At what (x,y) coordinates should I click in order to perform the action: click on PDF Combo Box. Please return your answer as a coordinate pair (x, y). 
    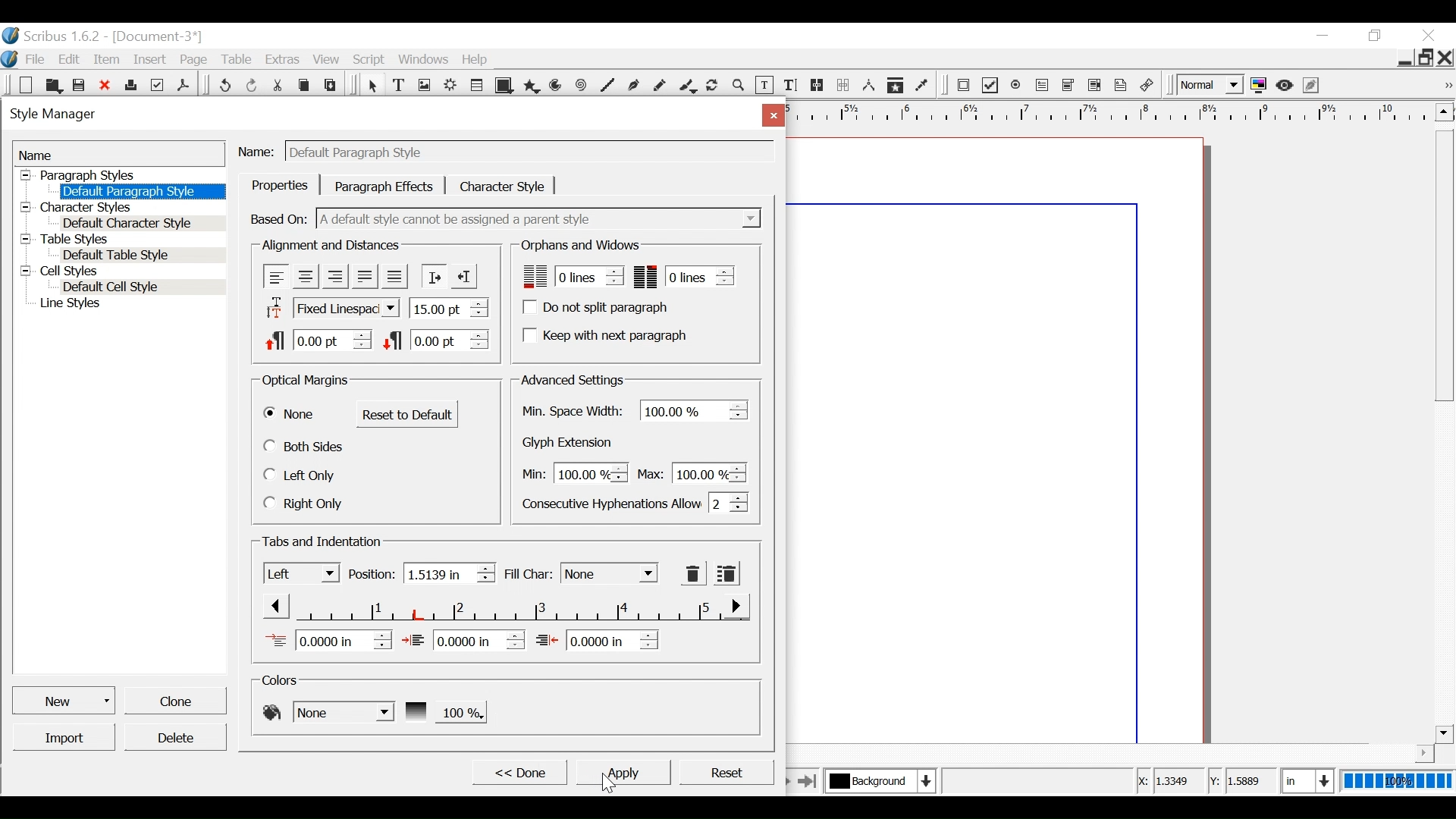
    Looking at the image, I should click on (1070, 86).